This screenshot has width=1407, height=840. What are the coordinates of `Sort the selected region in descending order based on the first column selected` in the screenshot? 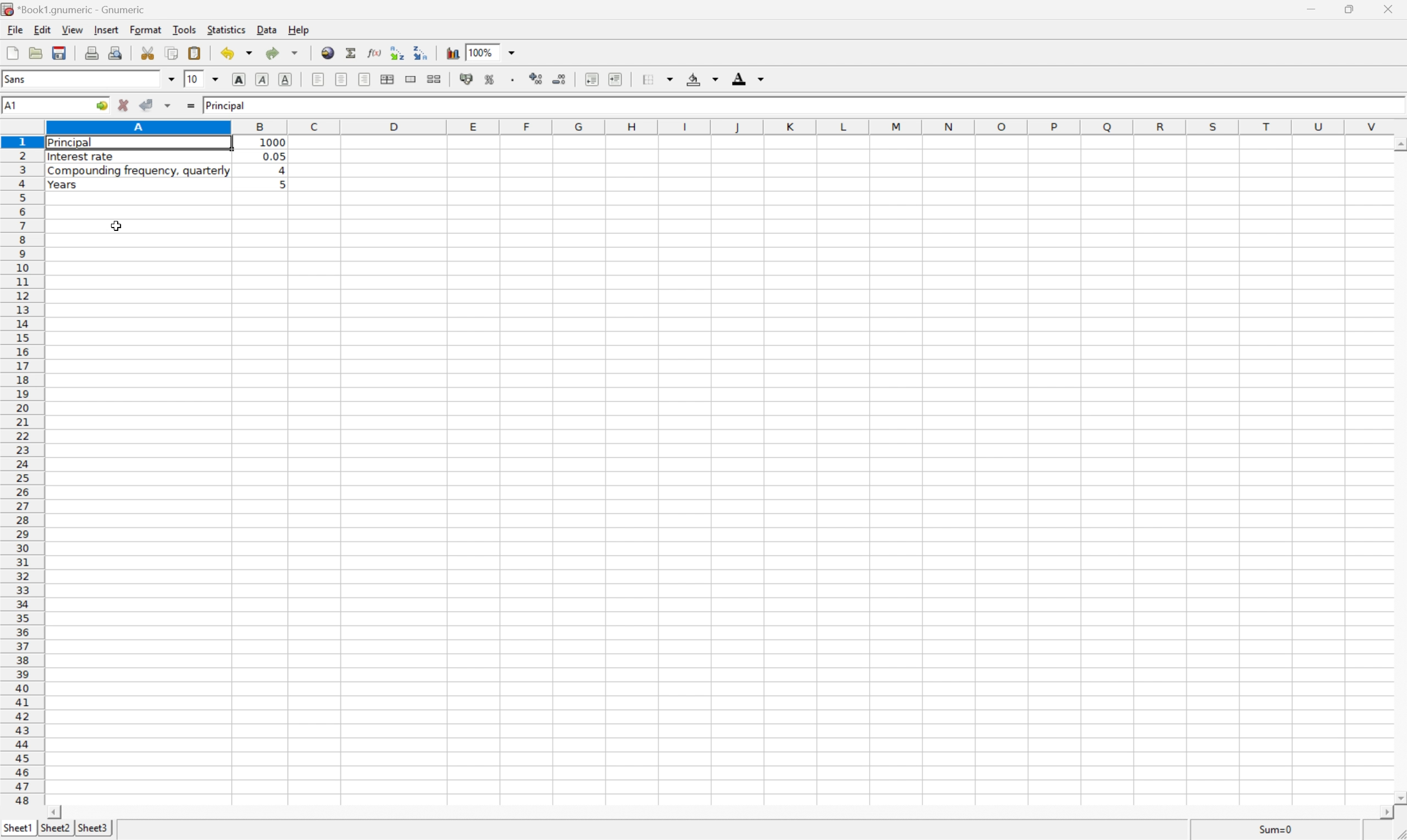 It's located at (421, 52).